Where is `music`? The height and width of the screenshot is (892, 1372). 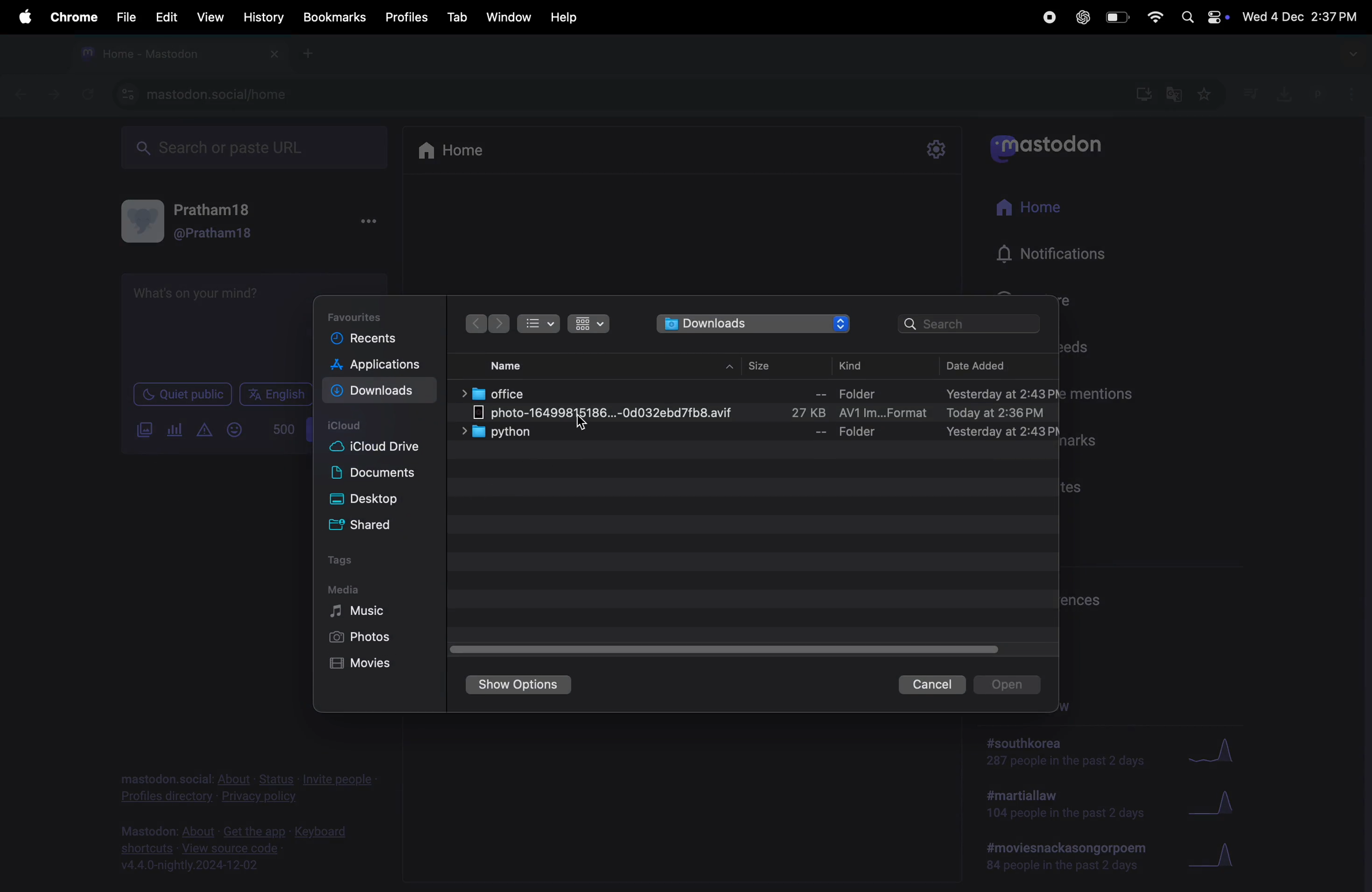 music is located at coordinates (361, 611).